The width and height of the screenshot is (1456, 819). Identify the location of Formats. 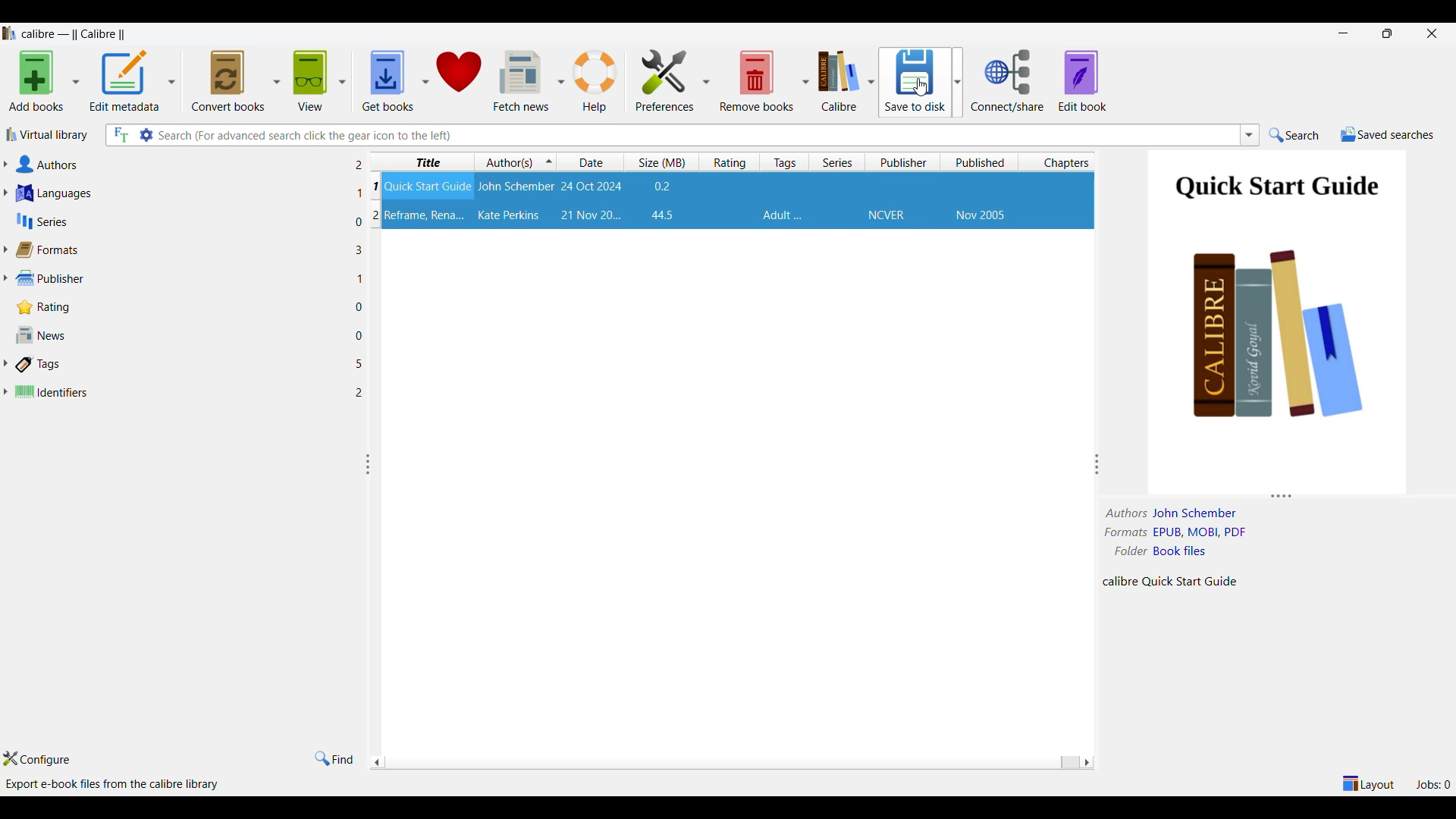
(174, 249).